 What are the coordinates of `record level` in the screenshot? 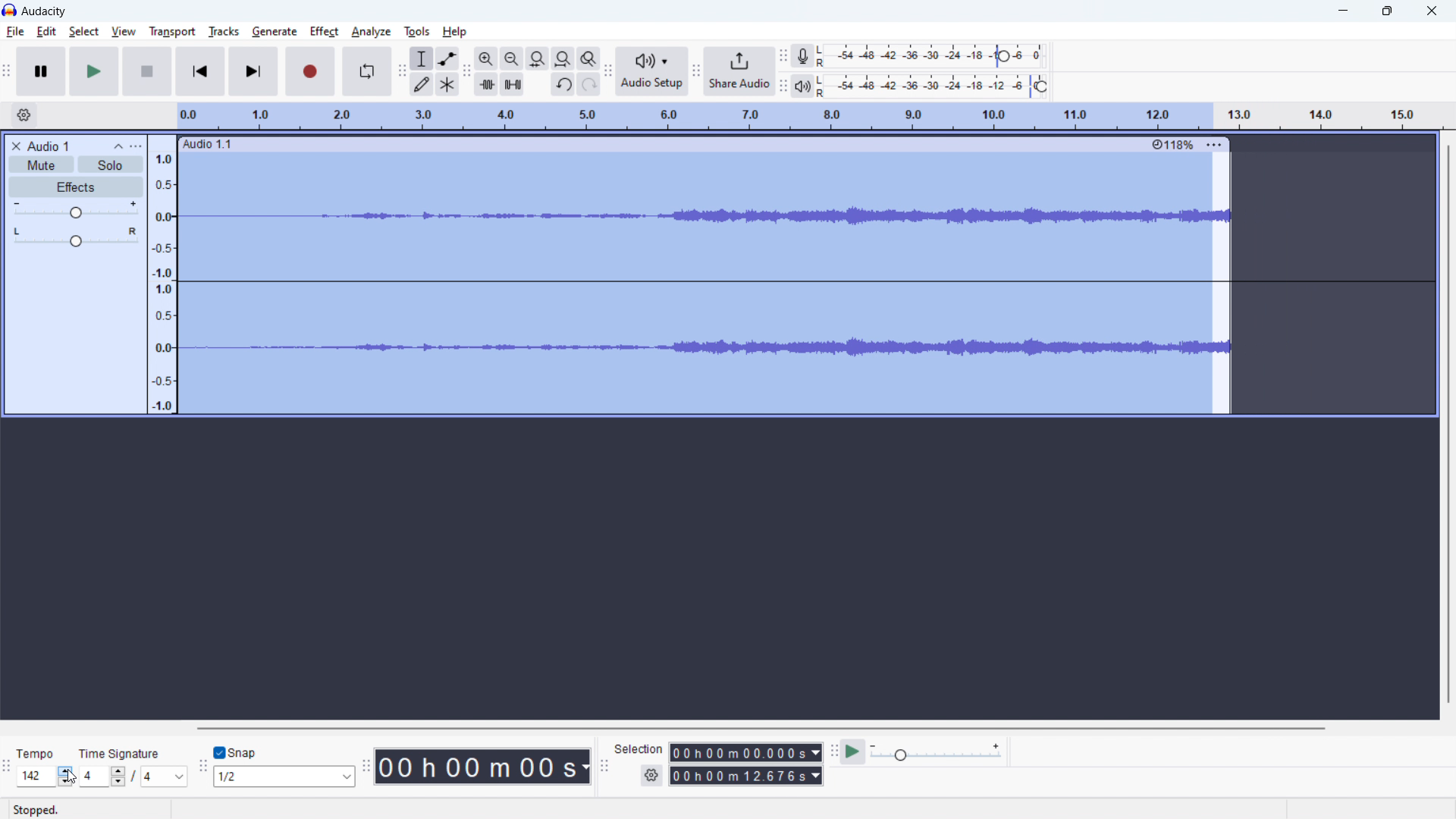 It's located at (938, 55).